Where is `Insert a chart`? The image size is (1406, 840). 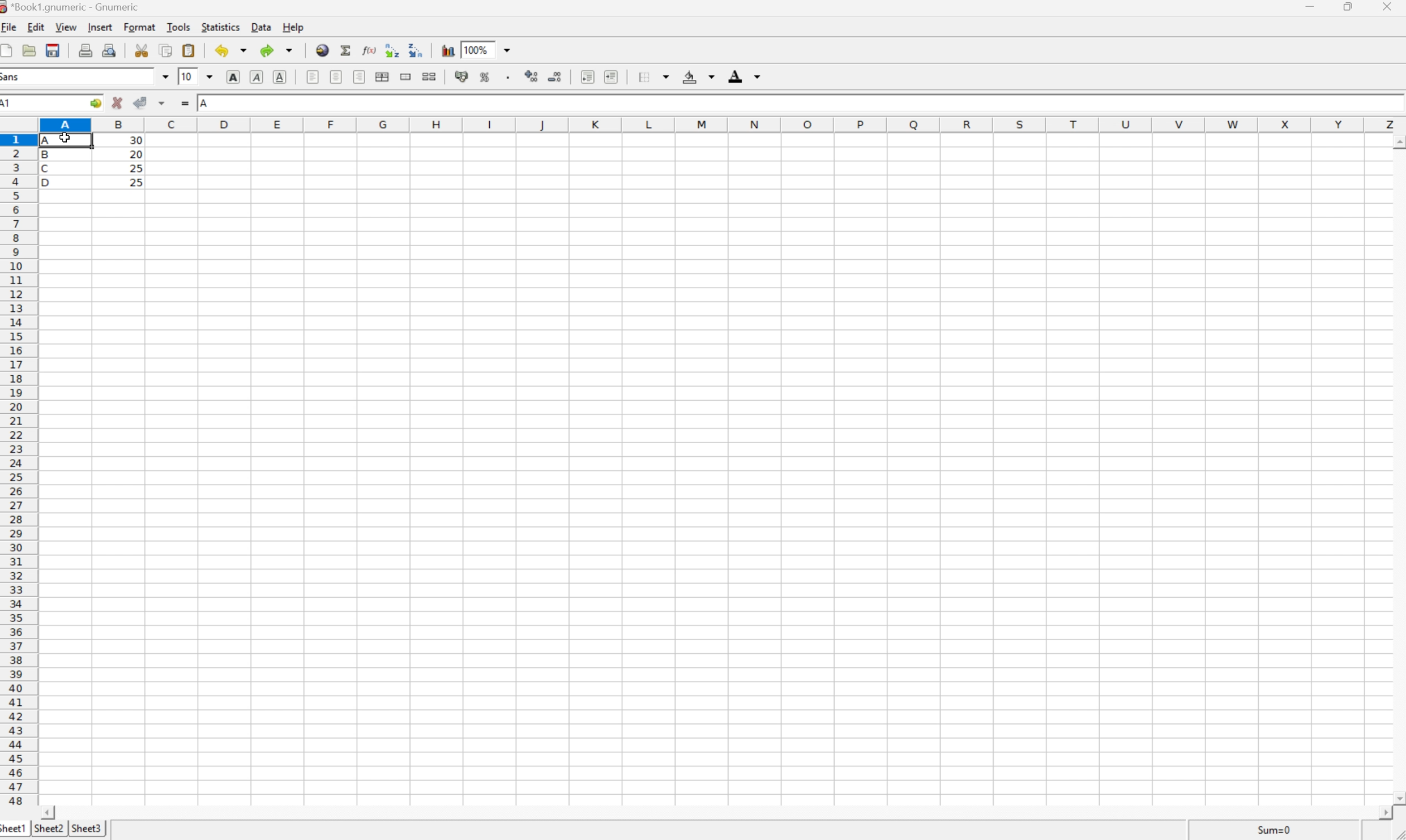
Insert a chart is located at coordinates (447, 48).